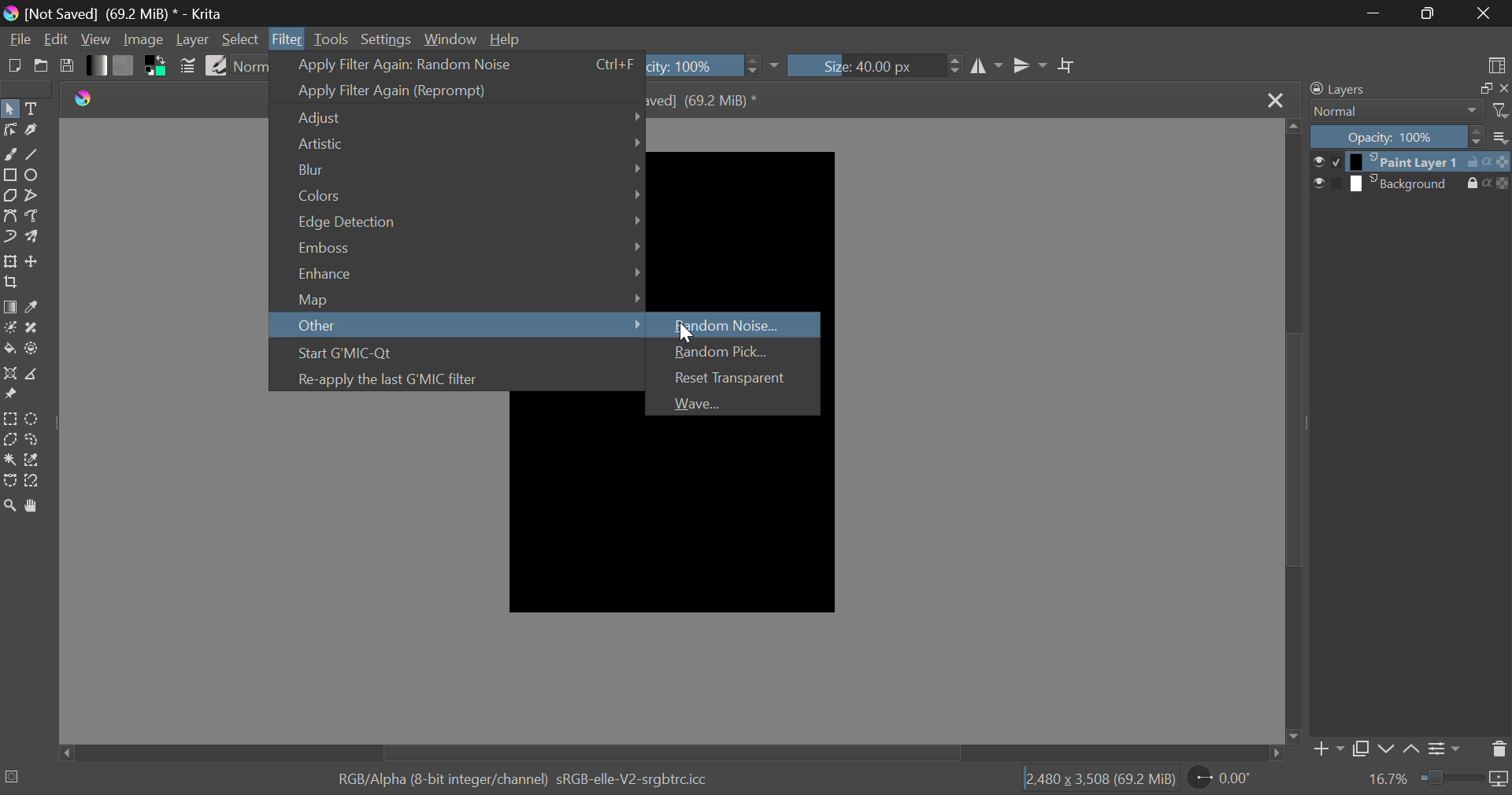 This screenshot has width=1512, height=795. I want to click on Apply Filter Again, so click(454, 65).